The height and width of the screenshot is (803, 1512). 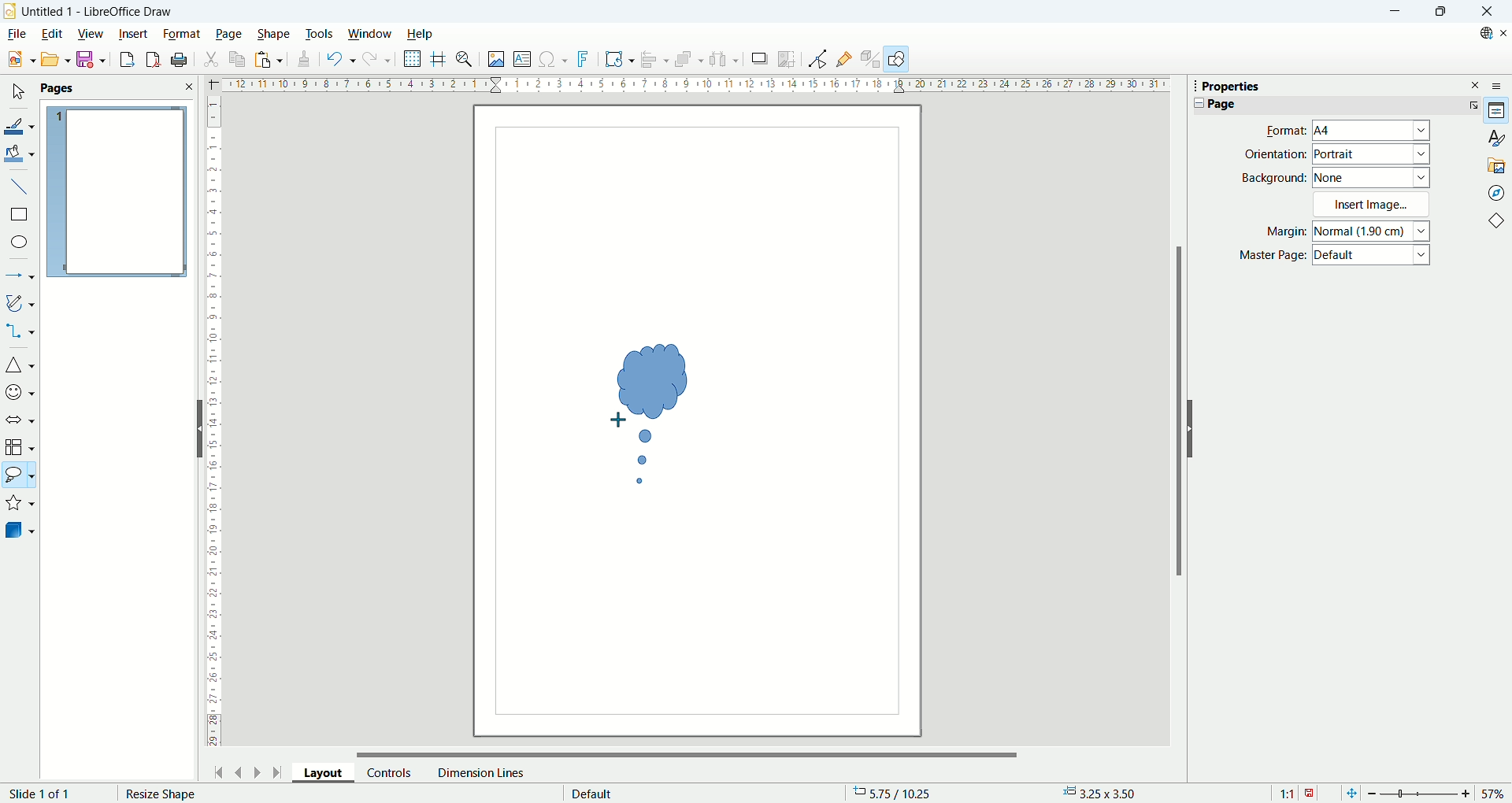 I want to click on basic shapes, so click(x=1499, y=223).